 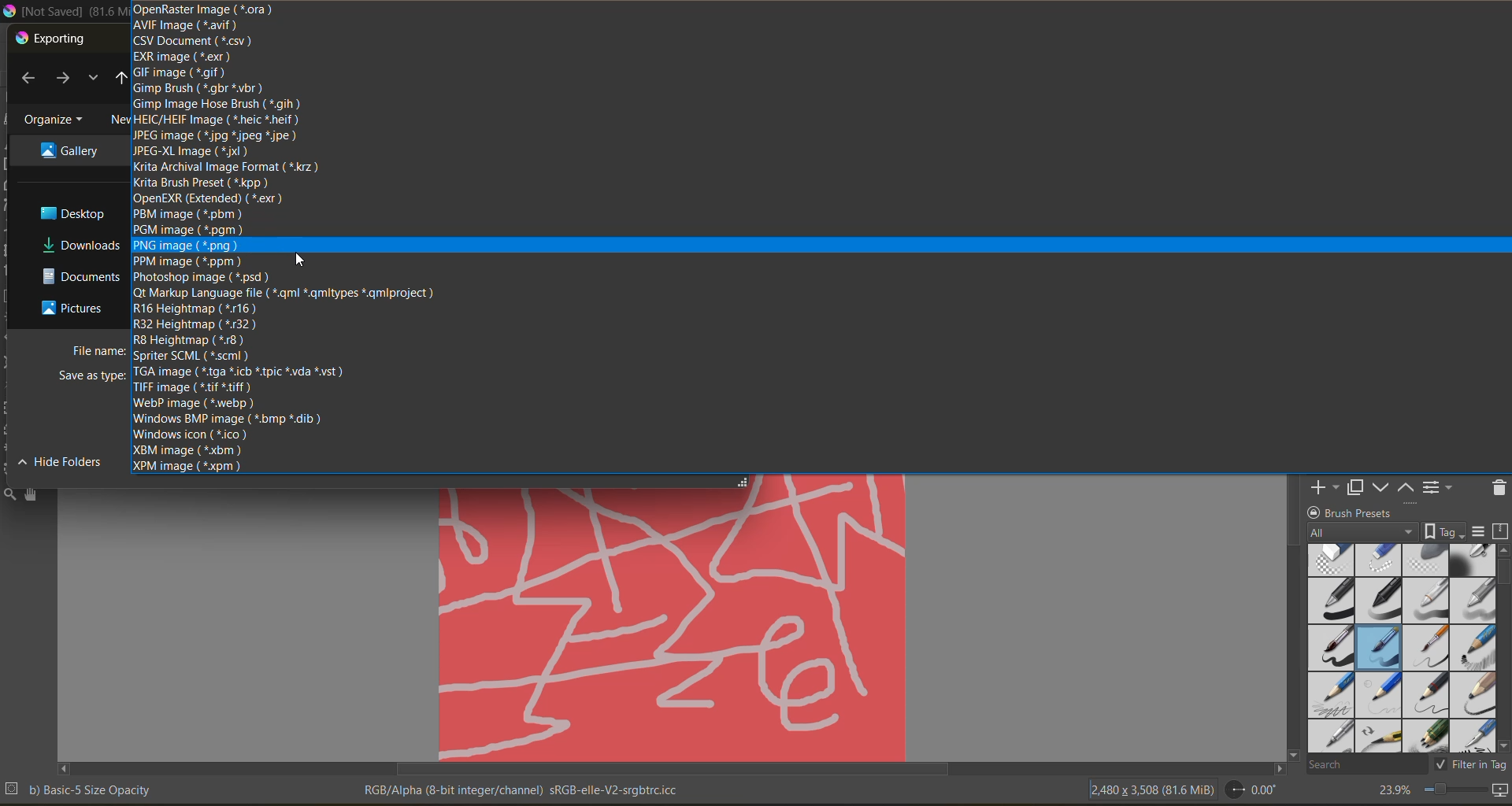 I want to click on brush presets, so click(x=1398, y=649).